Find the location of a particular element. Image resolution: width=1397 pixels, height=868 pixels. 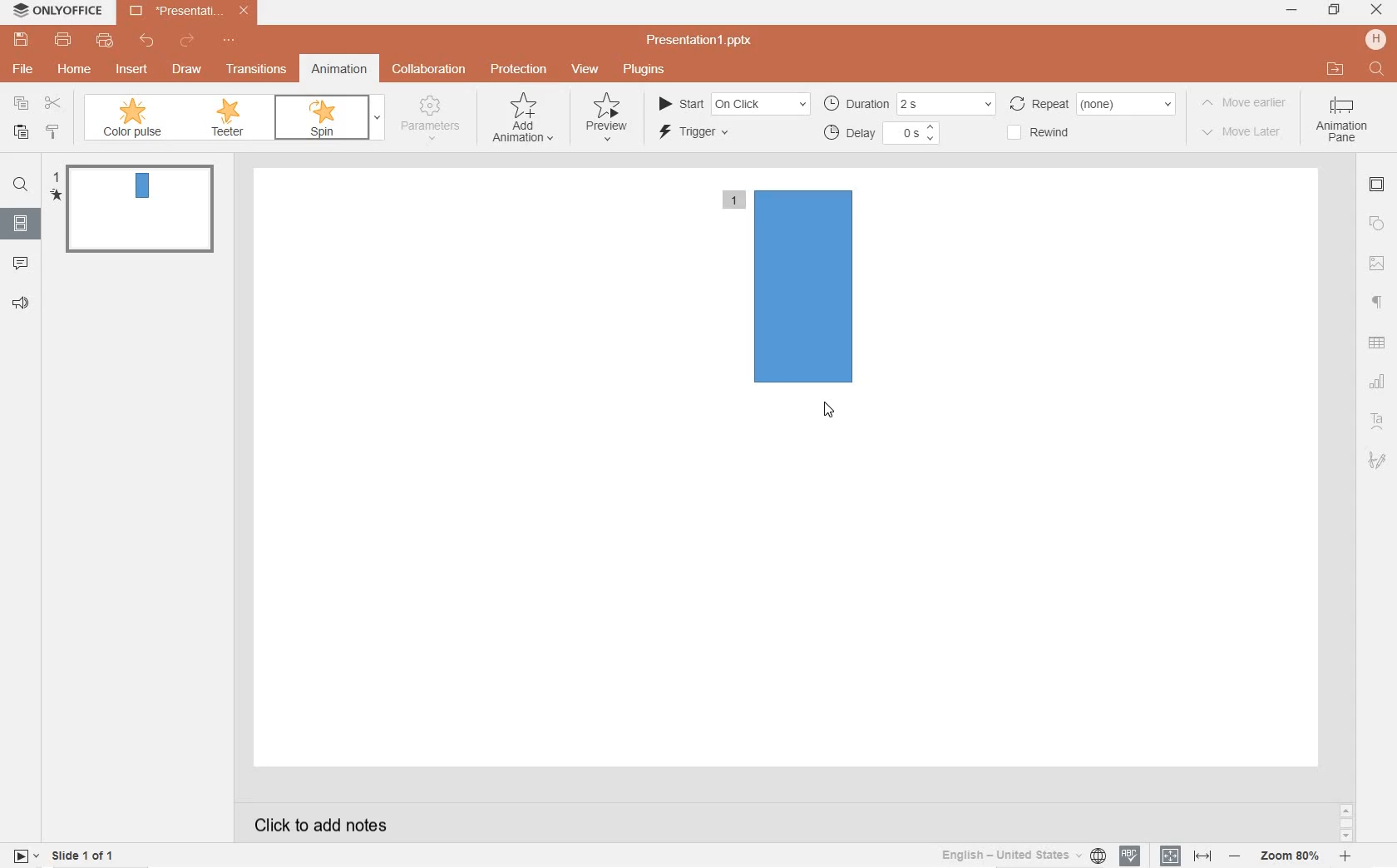

plugins is located at coordinates (643, 69).